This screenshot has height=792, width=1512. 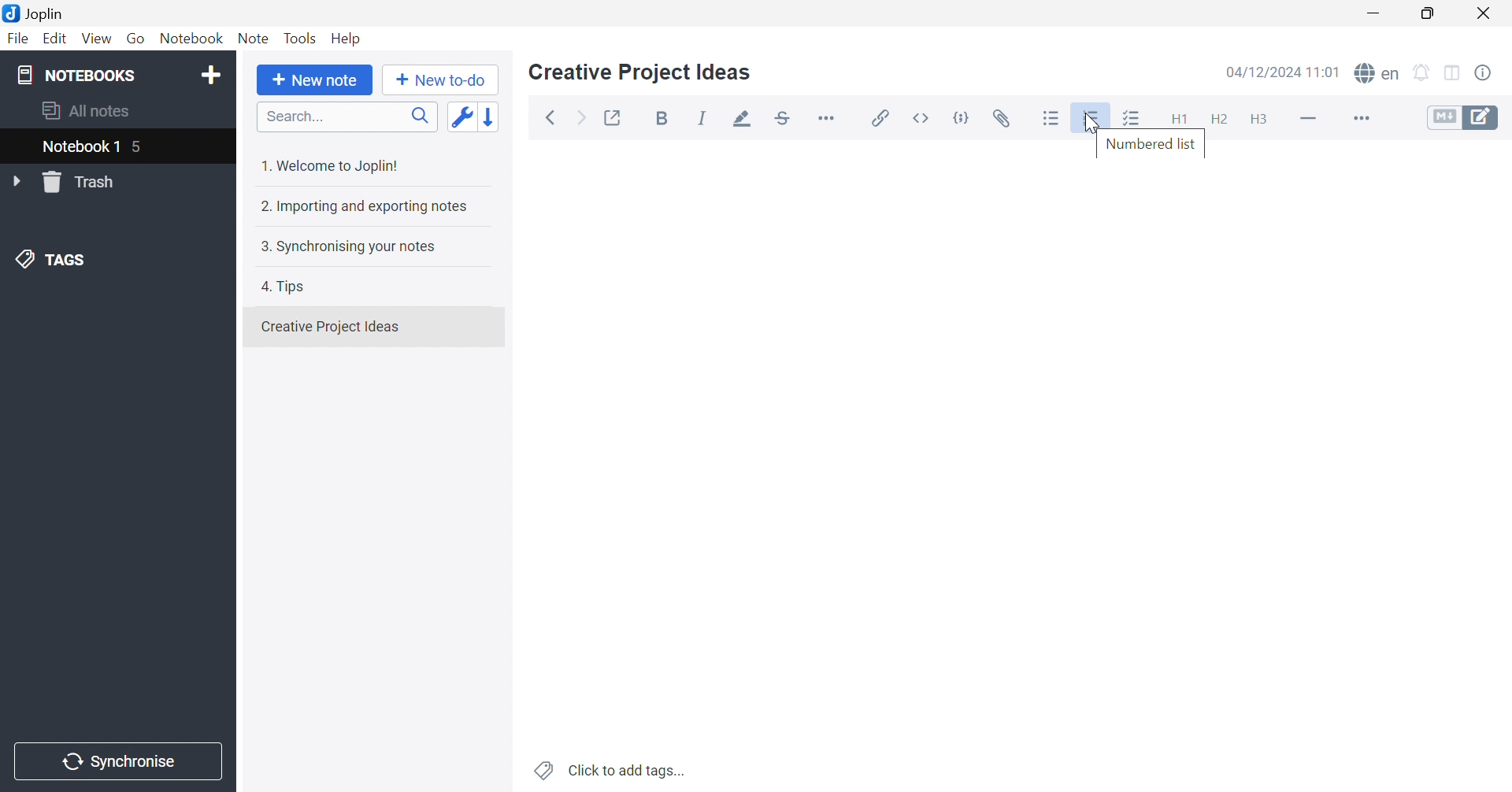 I want to click on NOTEBOOKS, so click(x=79, y=76).